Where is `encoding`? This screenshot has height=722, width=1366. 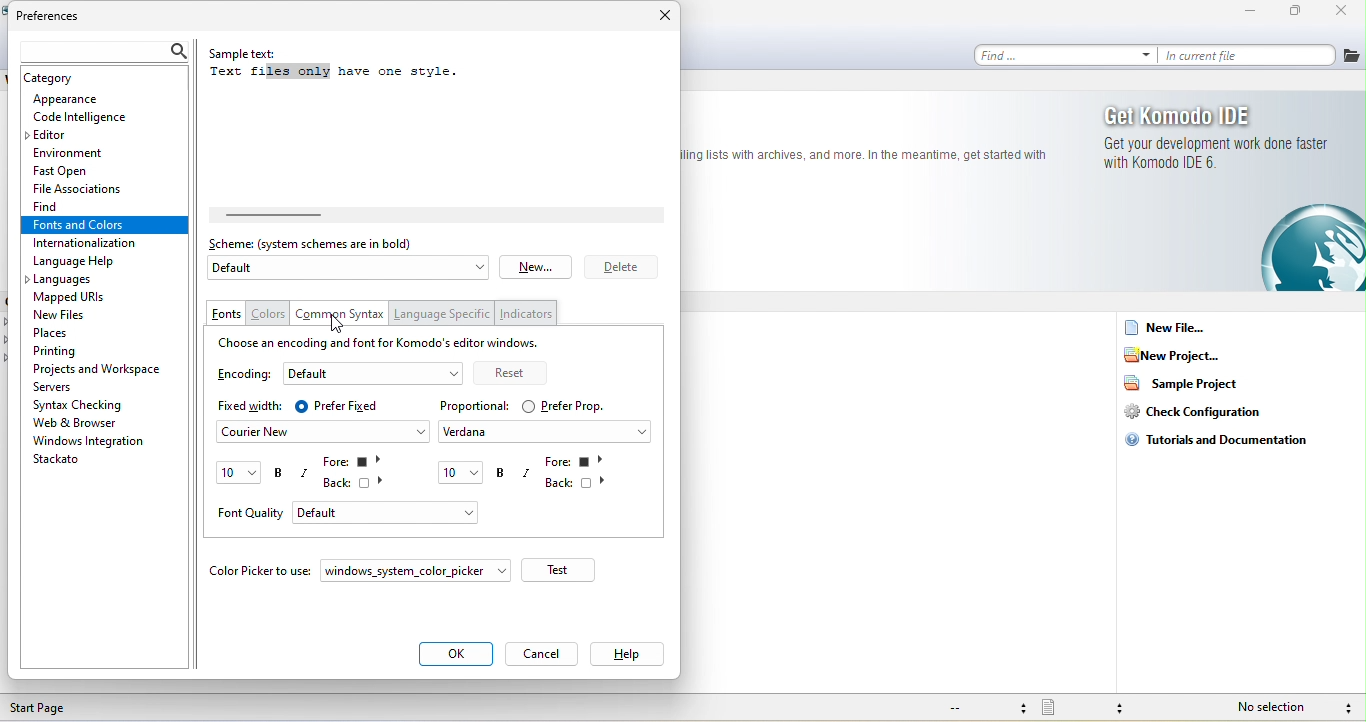
encoding is located at coordinates (242, 372).